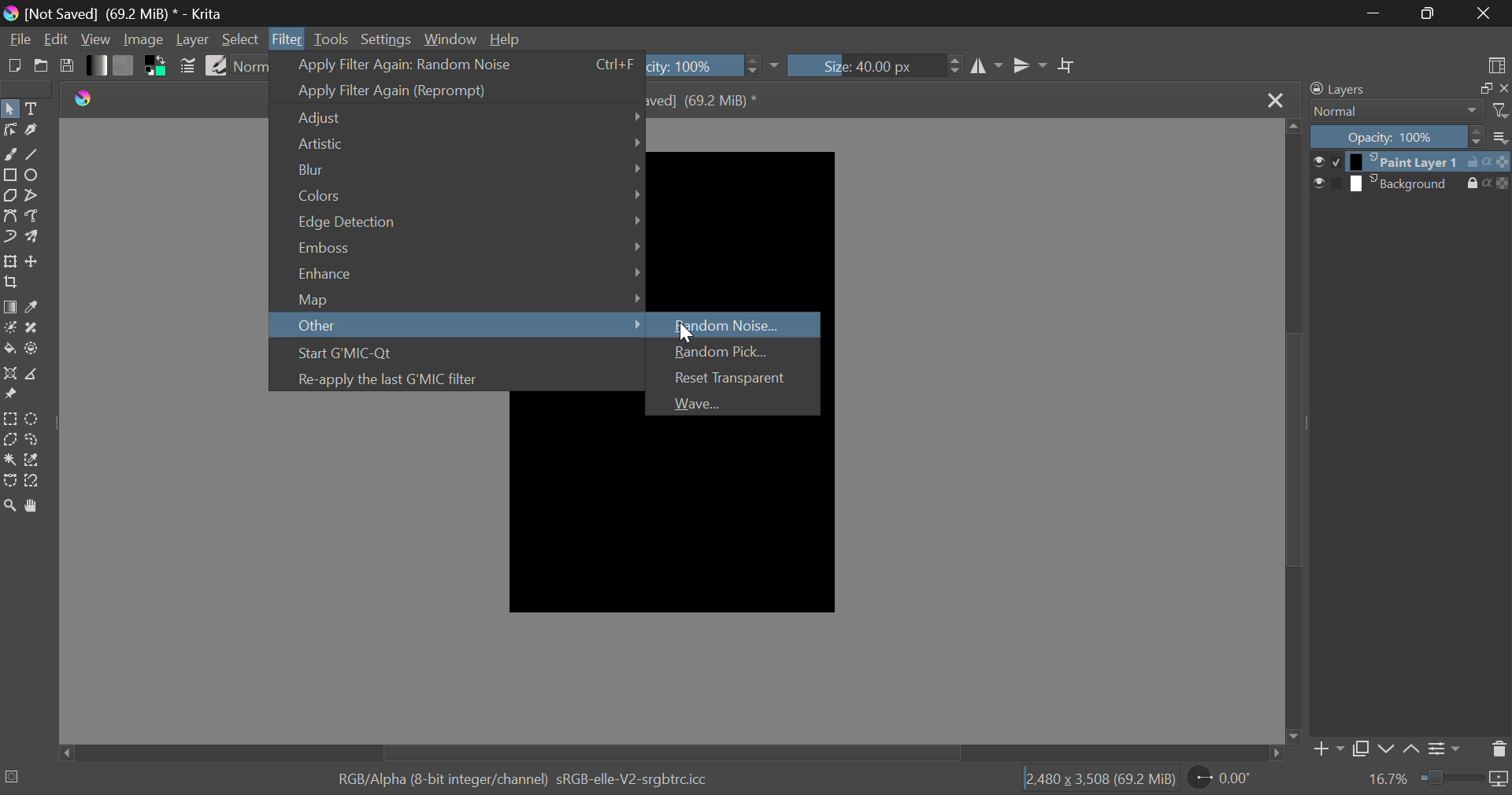  What do you see at coordinates (157, 66) in the screenshot?
I see `Colors in Use` at bounding box center [157, 66].